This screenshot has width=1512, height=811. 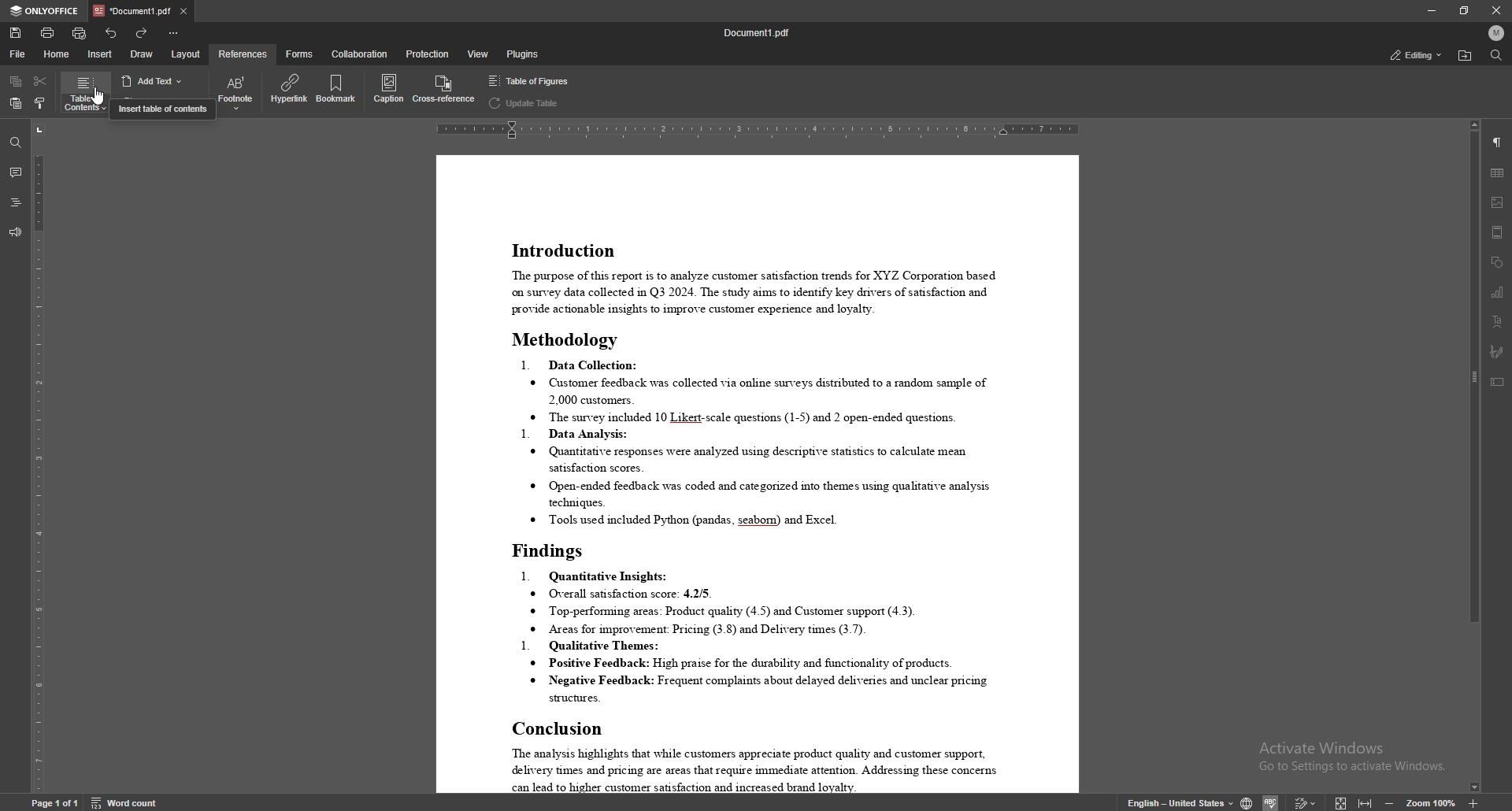 I want to click on undo, so click(x=113, y=33).